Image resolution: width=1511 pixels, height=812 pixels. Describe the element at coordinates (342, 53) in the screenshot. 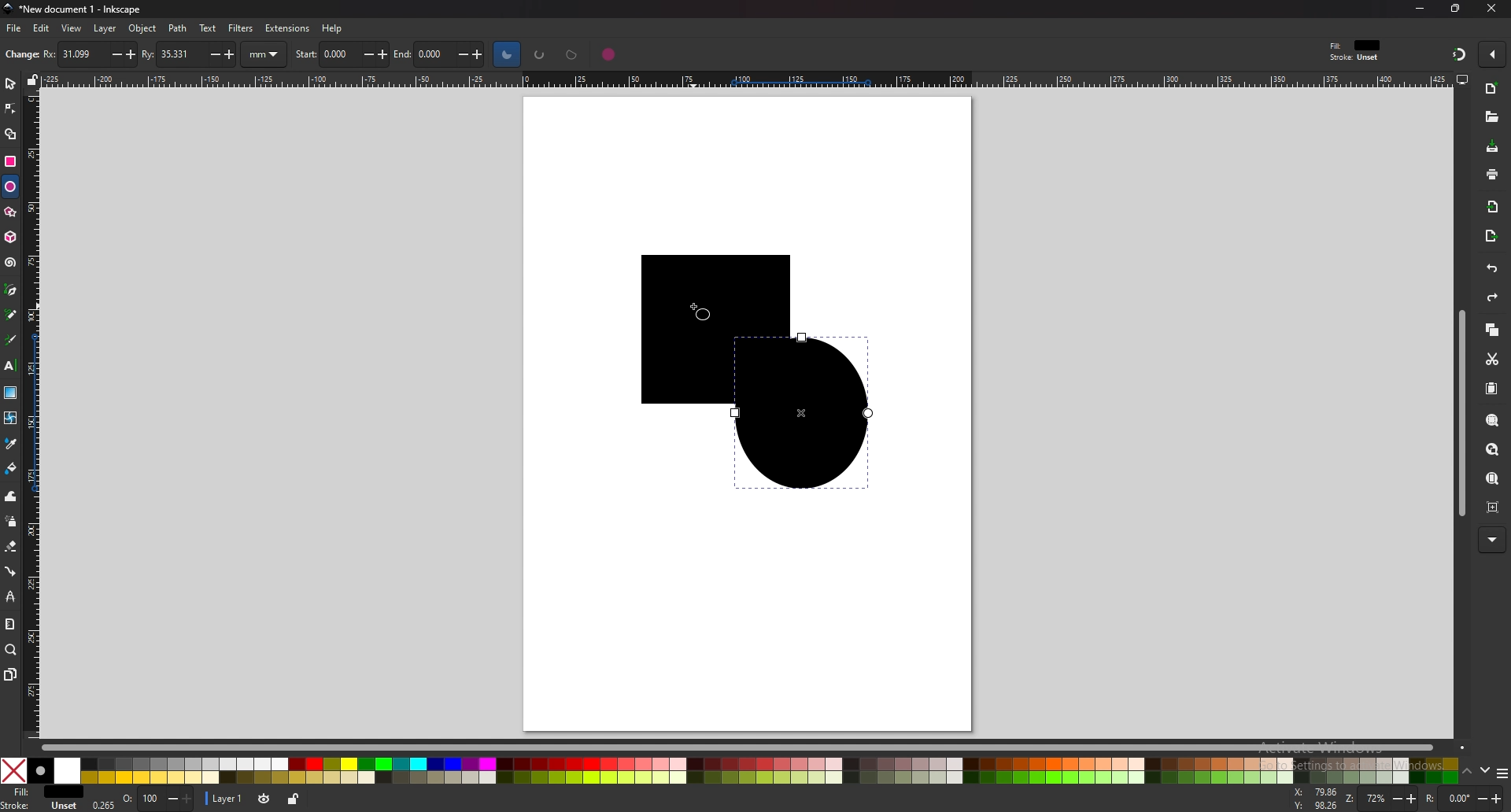

I see `start` at that location.